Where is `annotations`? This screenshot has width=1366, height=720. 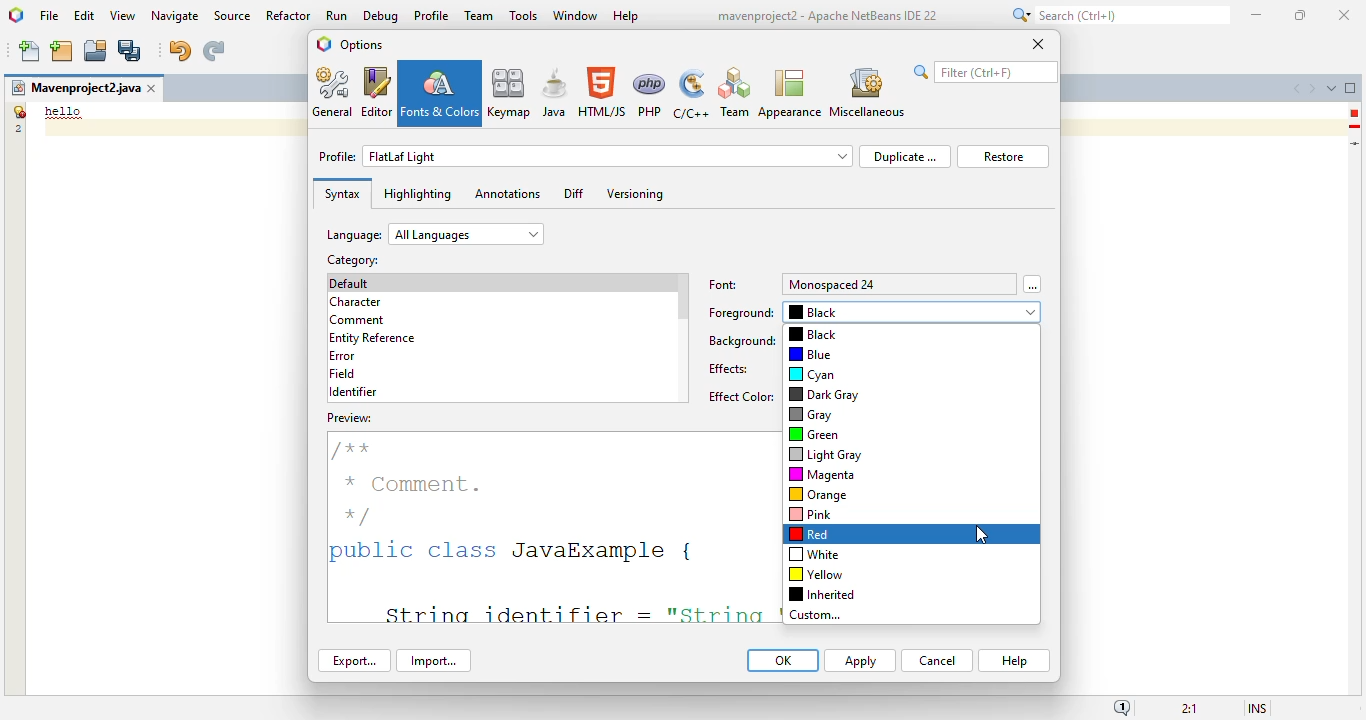
annotations is located at coordinates (507, 193).